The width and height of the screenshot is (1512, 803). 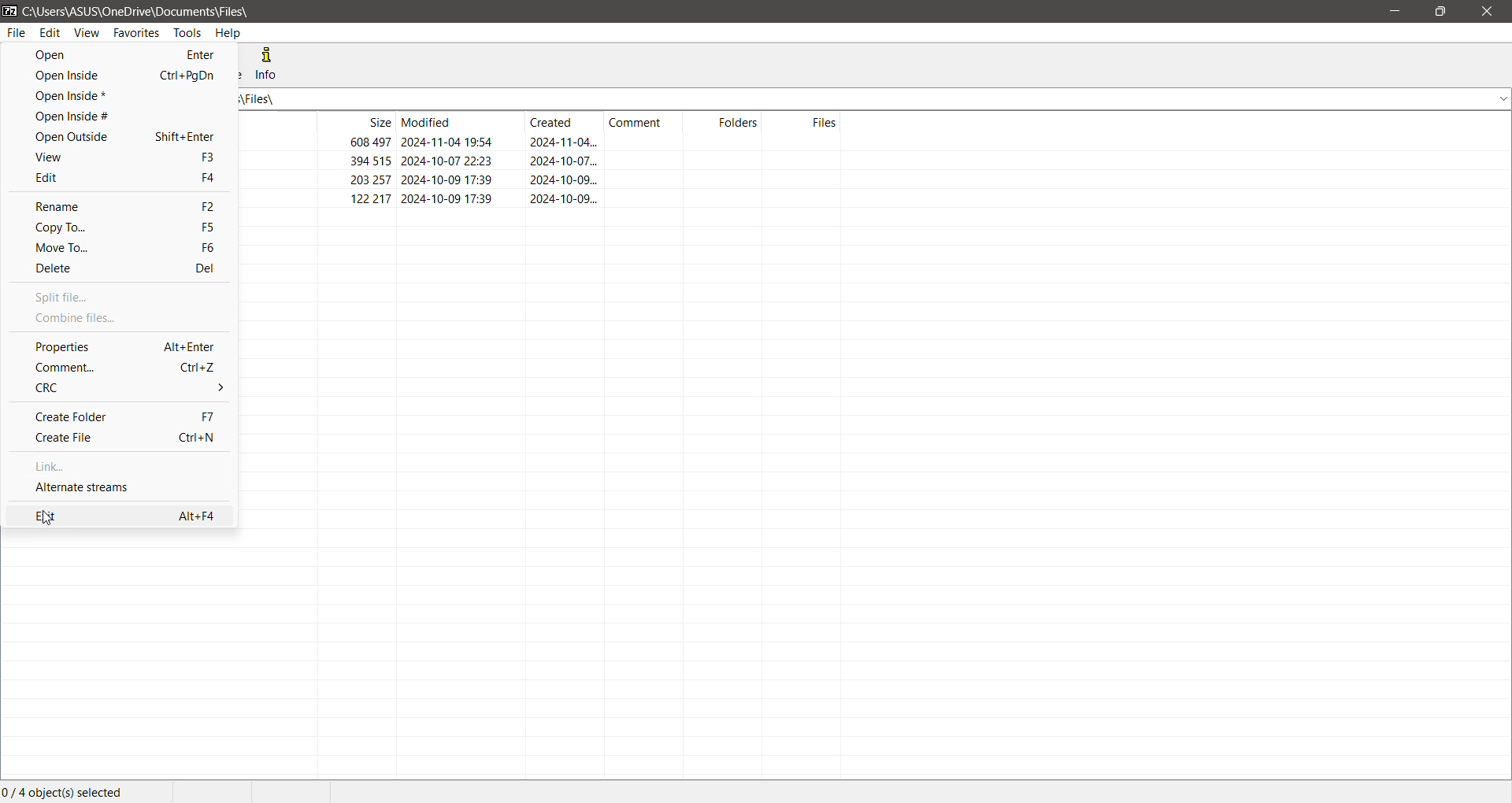 I want to click on Help, so click(x=232, y=35).